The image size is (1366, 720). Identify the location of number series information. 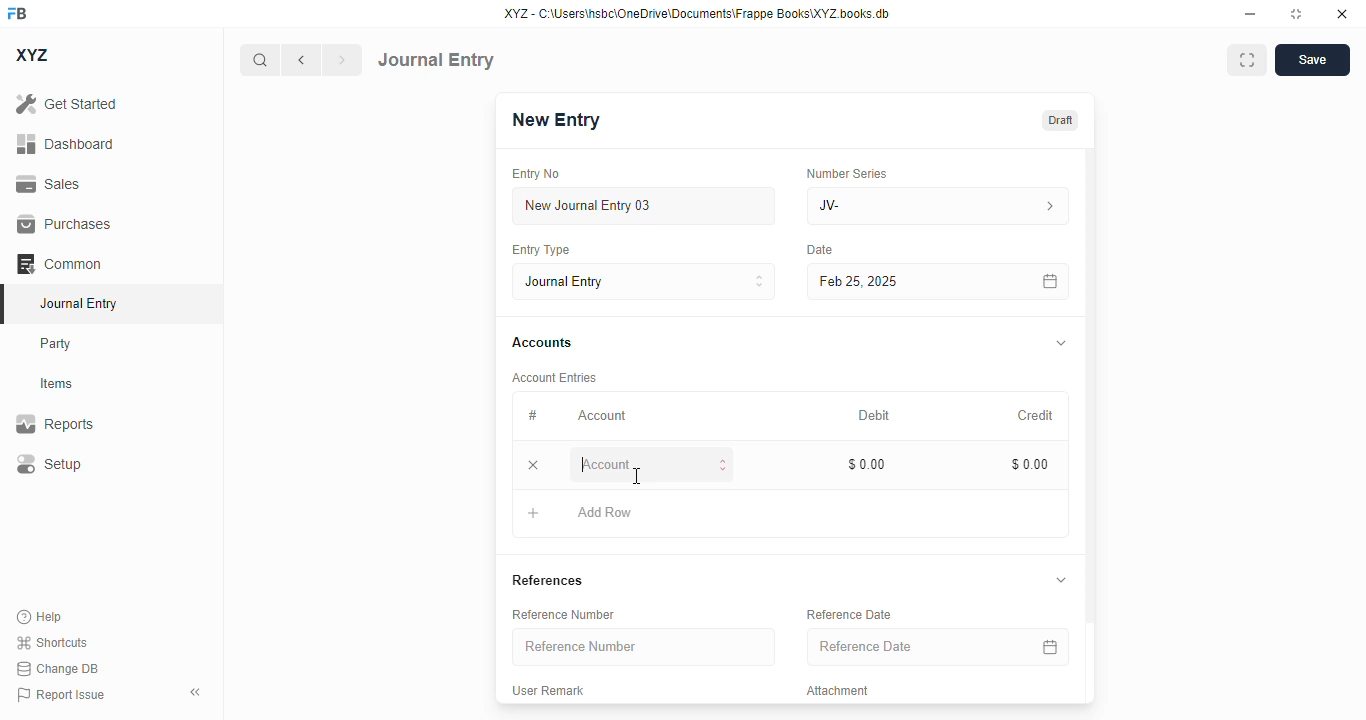
(1048, 207).